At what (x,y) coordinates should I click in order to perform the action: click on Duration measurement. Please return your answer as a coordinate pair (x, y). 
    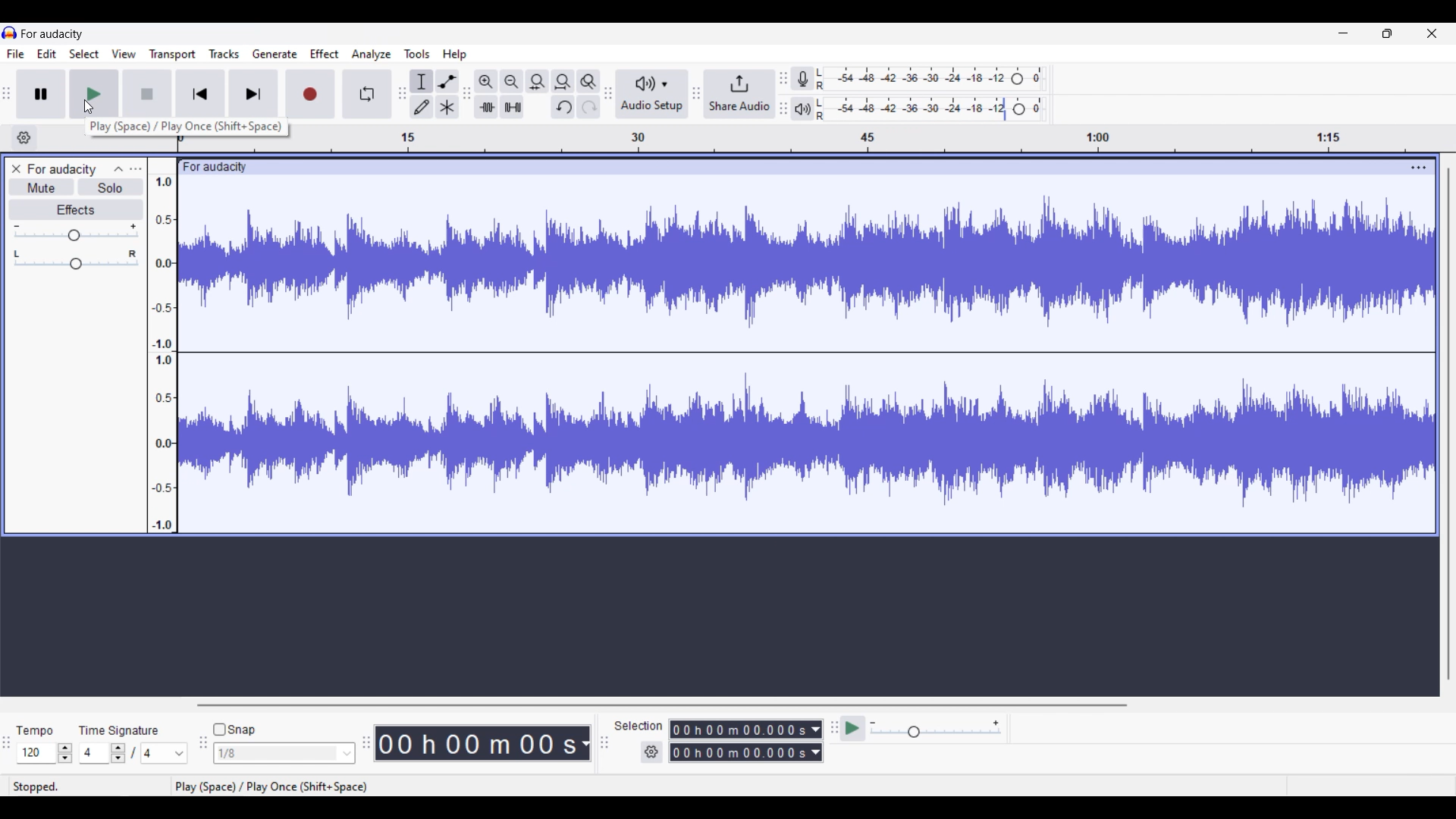
    Looking at the image, I should click on (585, 743).